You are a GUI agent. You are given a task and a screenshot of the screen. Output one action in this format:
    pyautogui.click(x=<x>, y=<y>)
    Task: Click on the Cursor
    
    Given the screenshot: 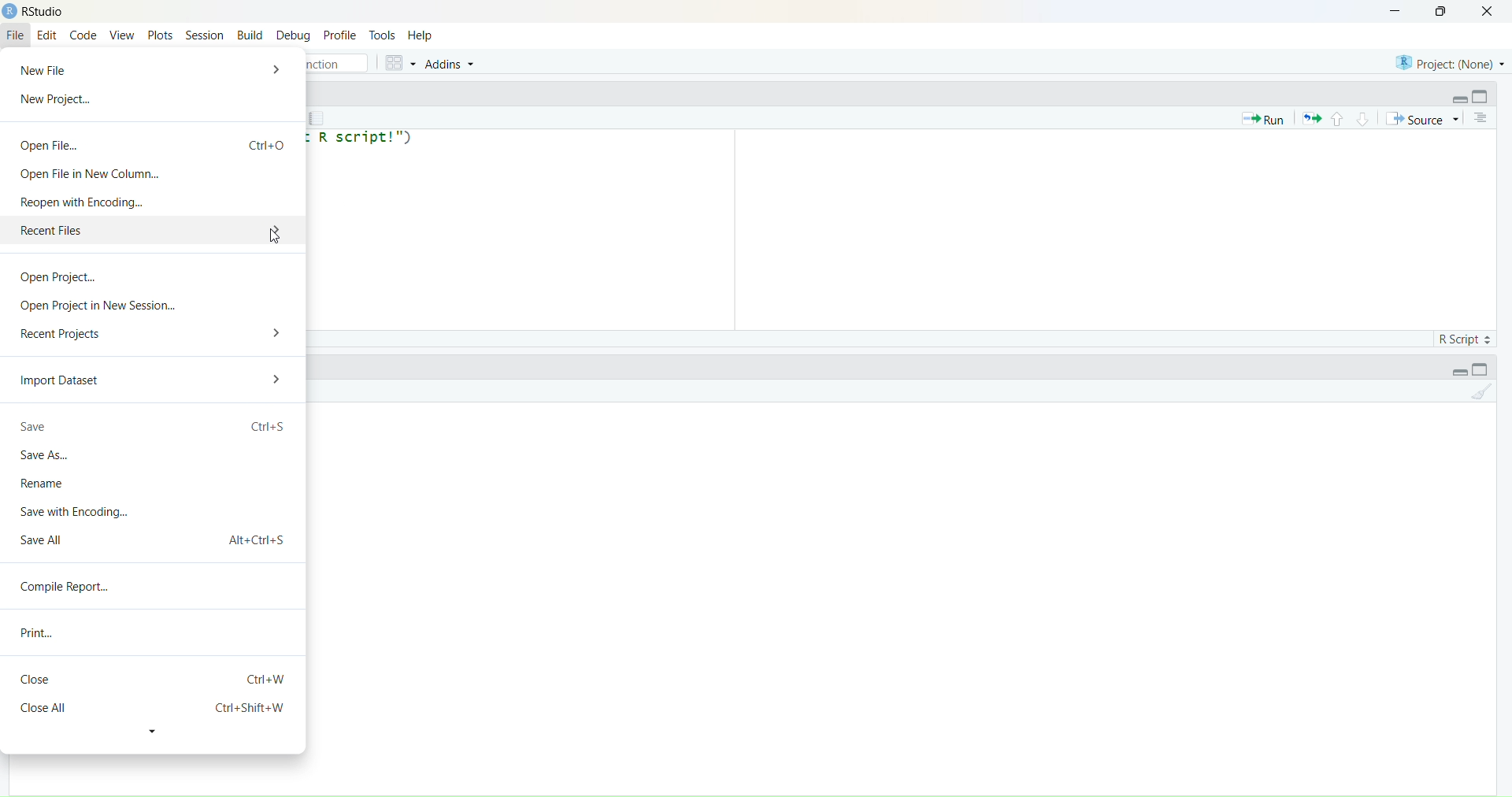 What is the action you would take?
    pyautogui.click(x=272, y=236)
    